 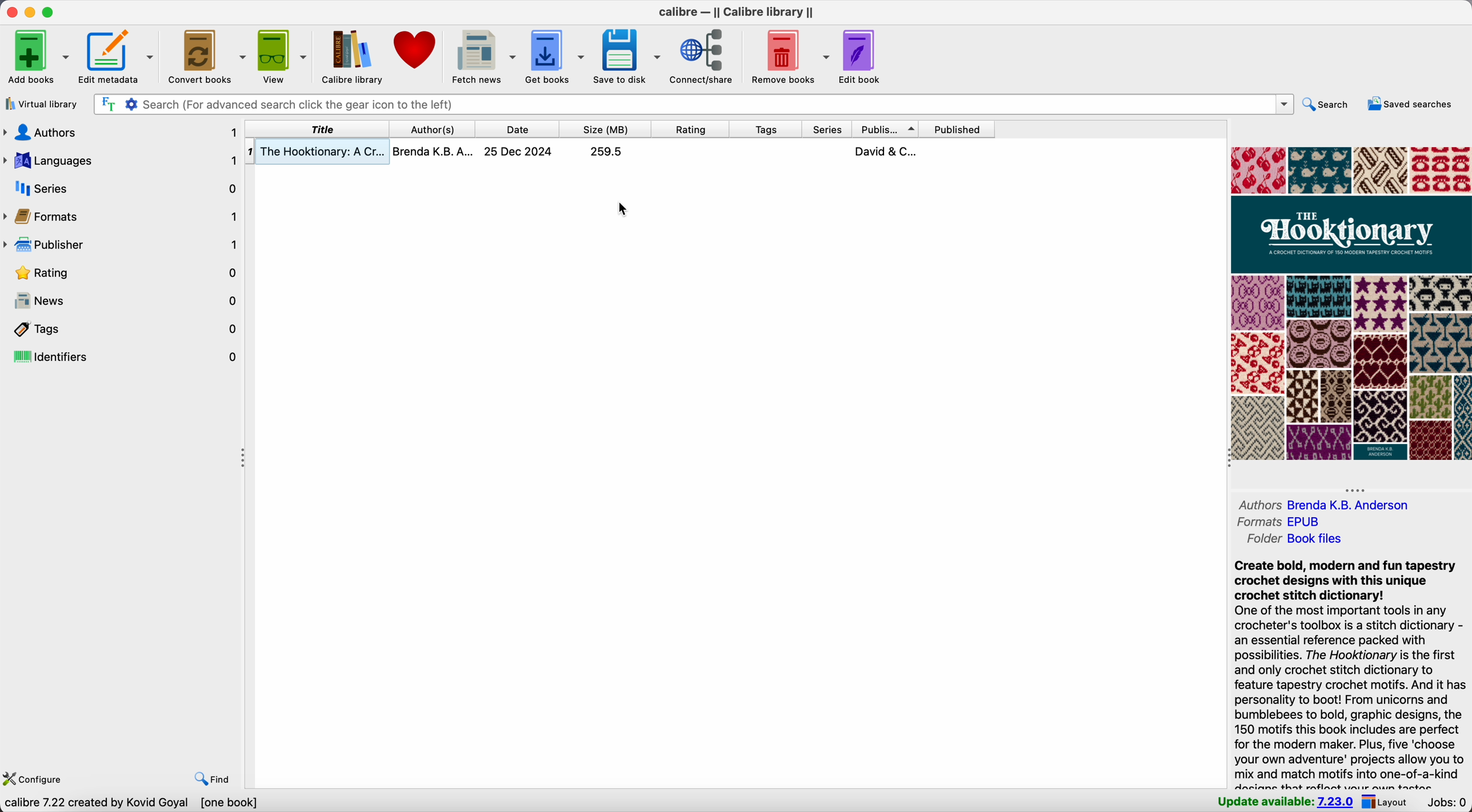 I want to click on Jobs: 0, so click(x=1446, y=802).